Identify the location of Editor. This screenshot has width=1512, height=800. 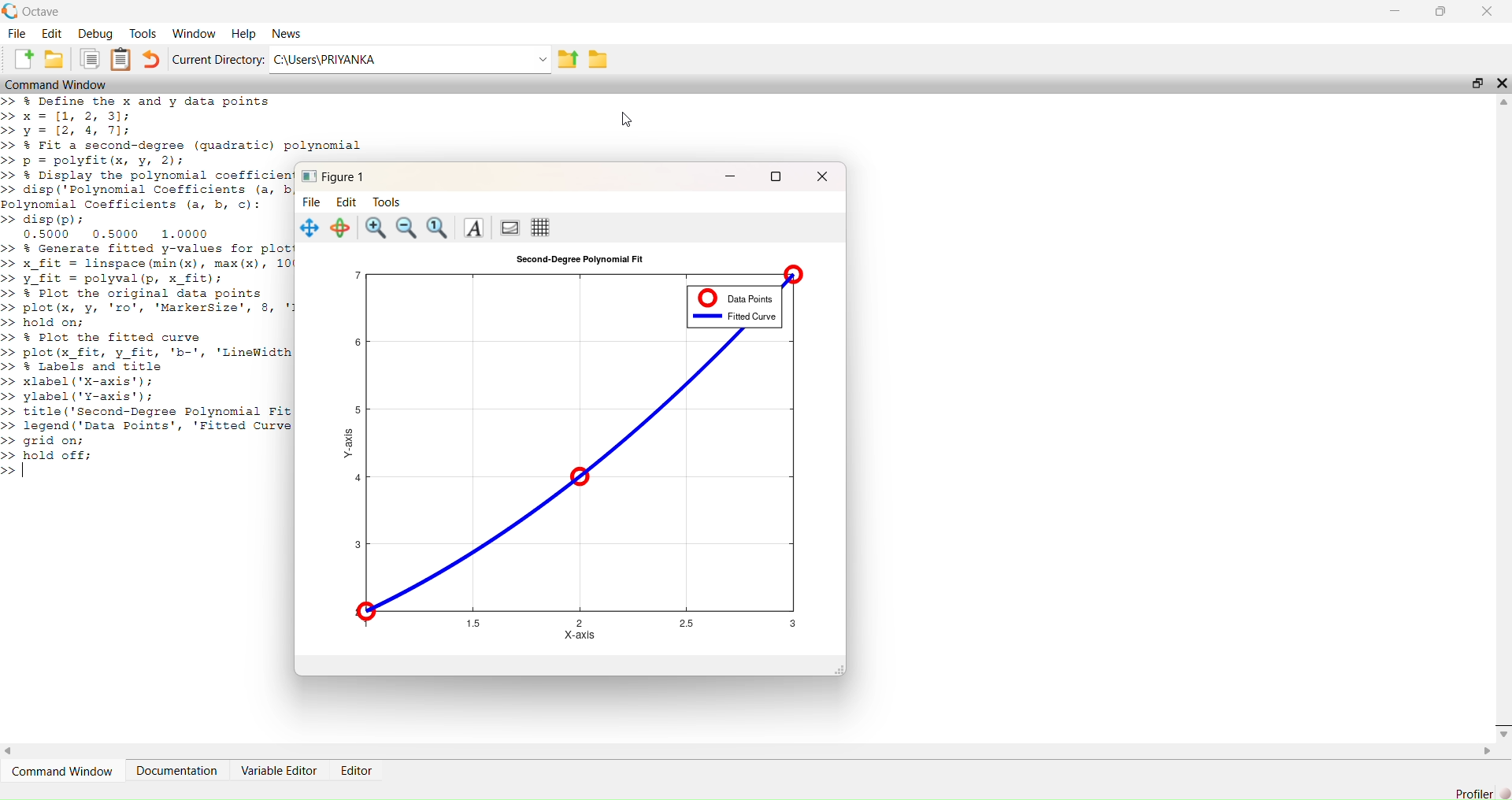
(358, 772).